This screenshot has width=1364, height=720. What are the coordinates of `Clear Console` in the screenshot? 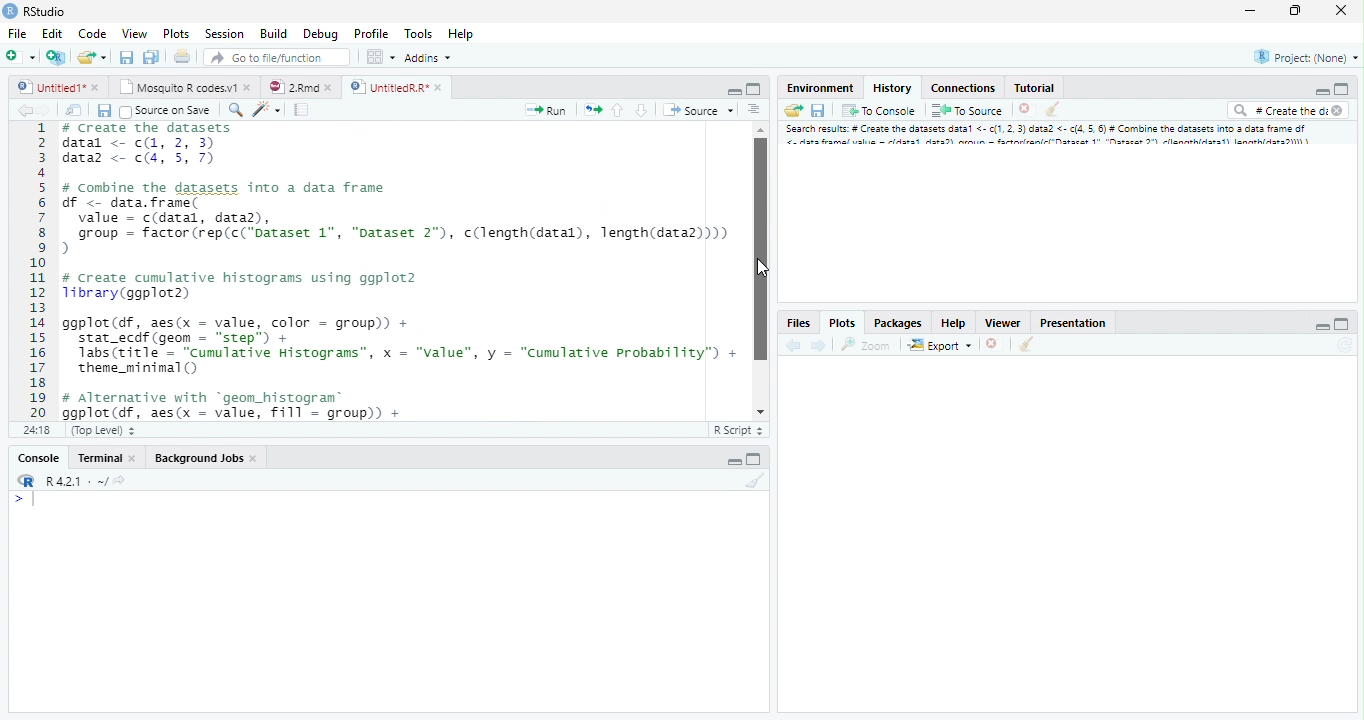 It's located at (760, 483).